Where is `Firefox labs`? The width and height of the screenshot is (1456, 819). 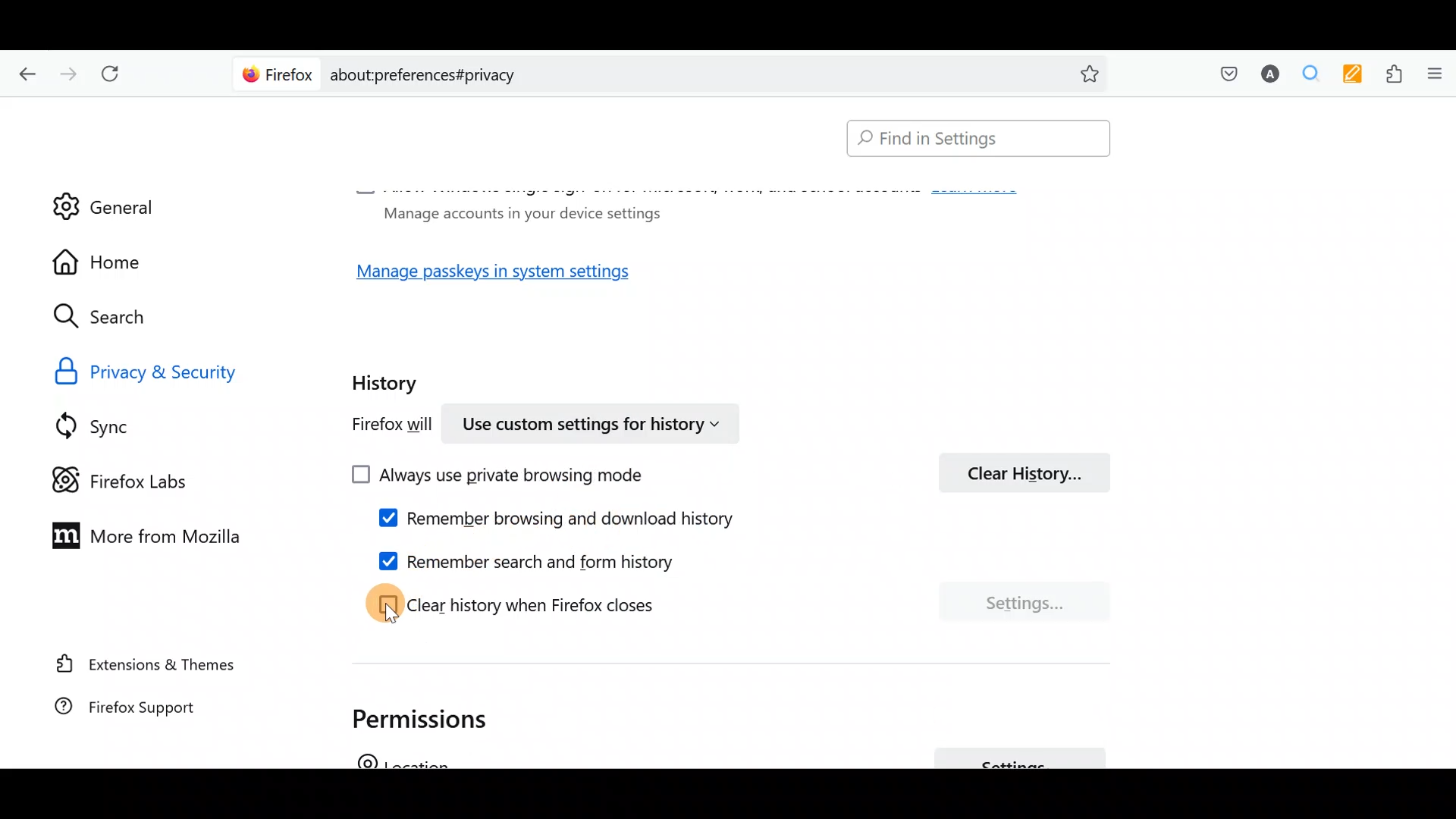
Firefox labs is located at coordinates (133, 479).